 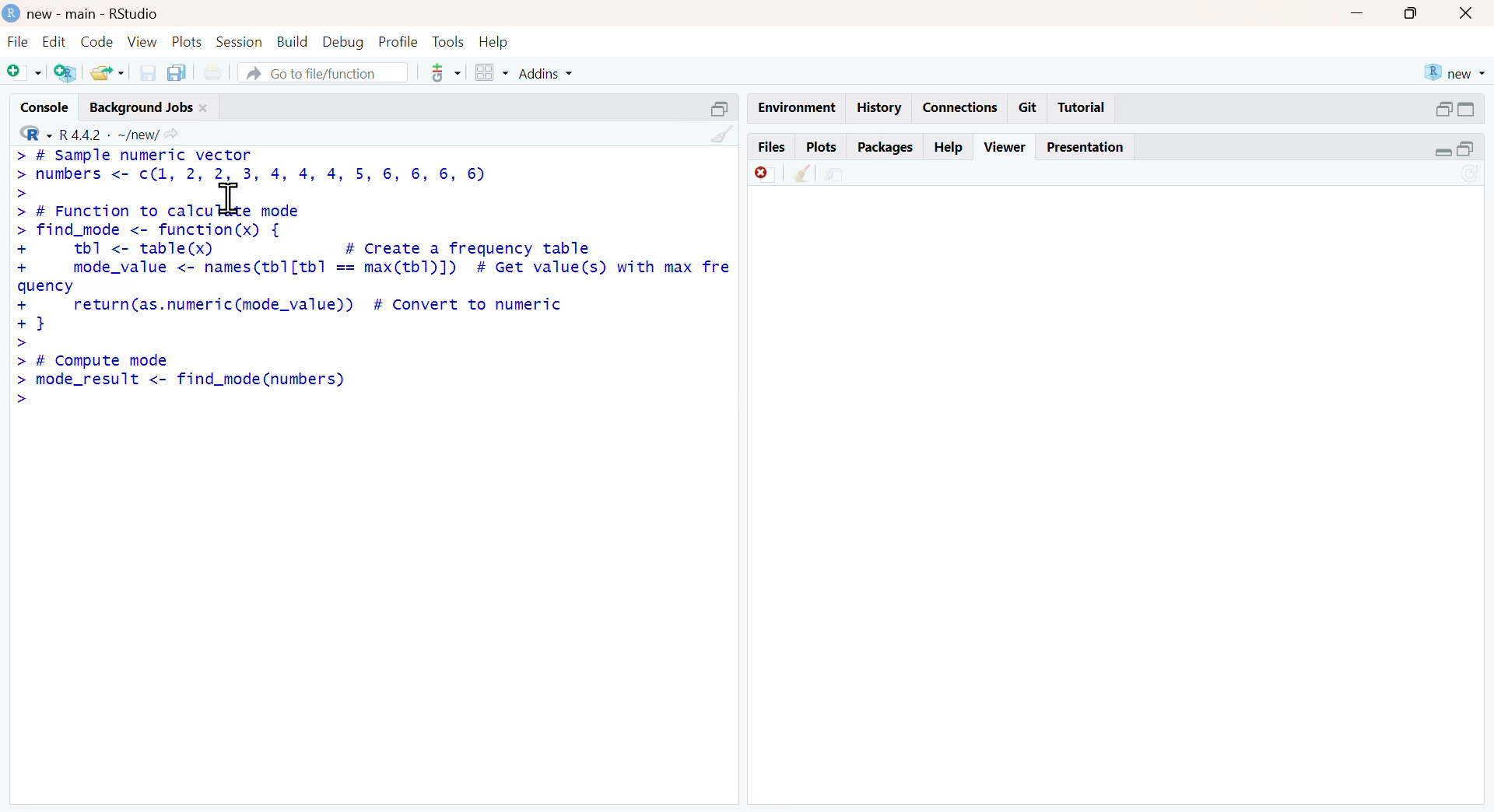 I want to click on code, so click(x=97, y=41).